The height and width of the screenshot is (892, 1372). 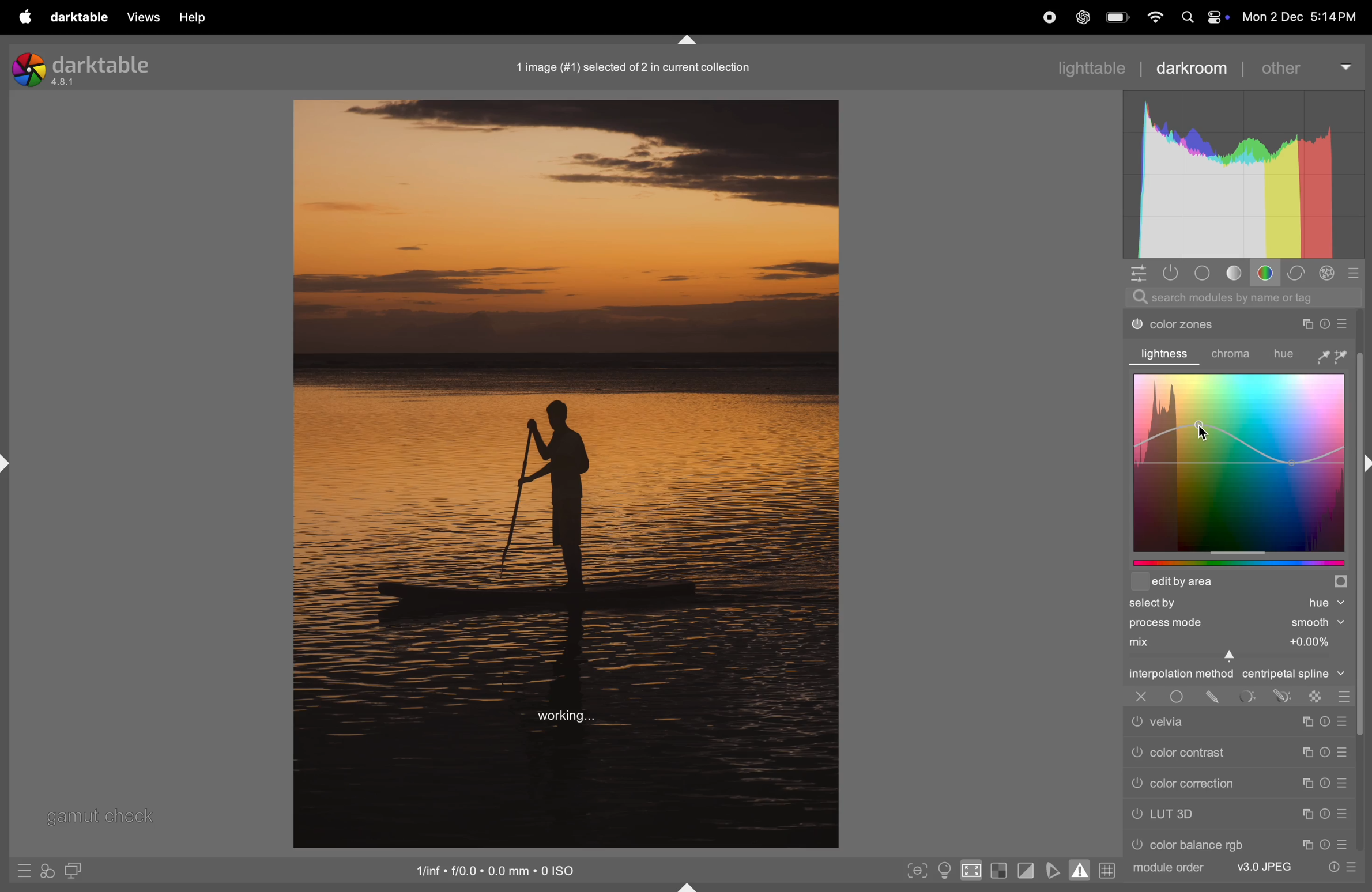 I want to click on toggle gaamut checking, so click(x=1078, y=869).